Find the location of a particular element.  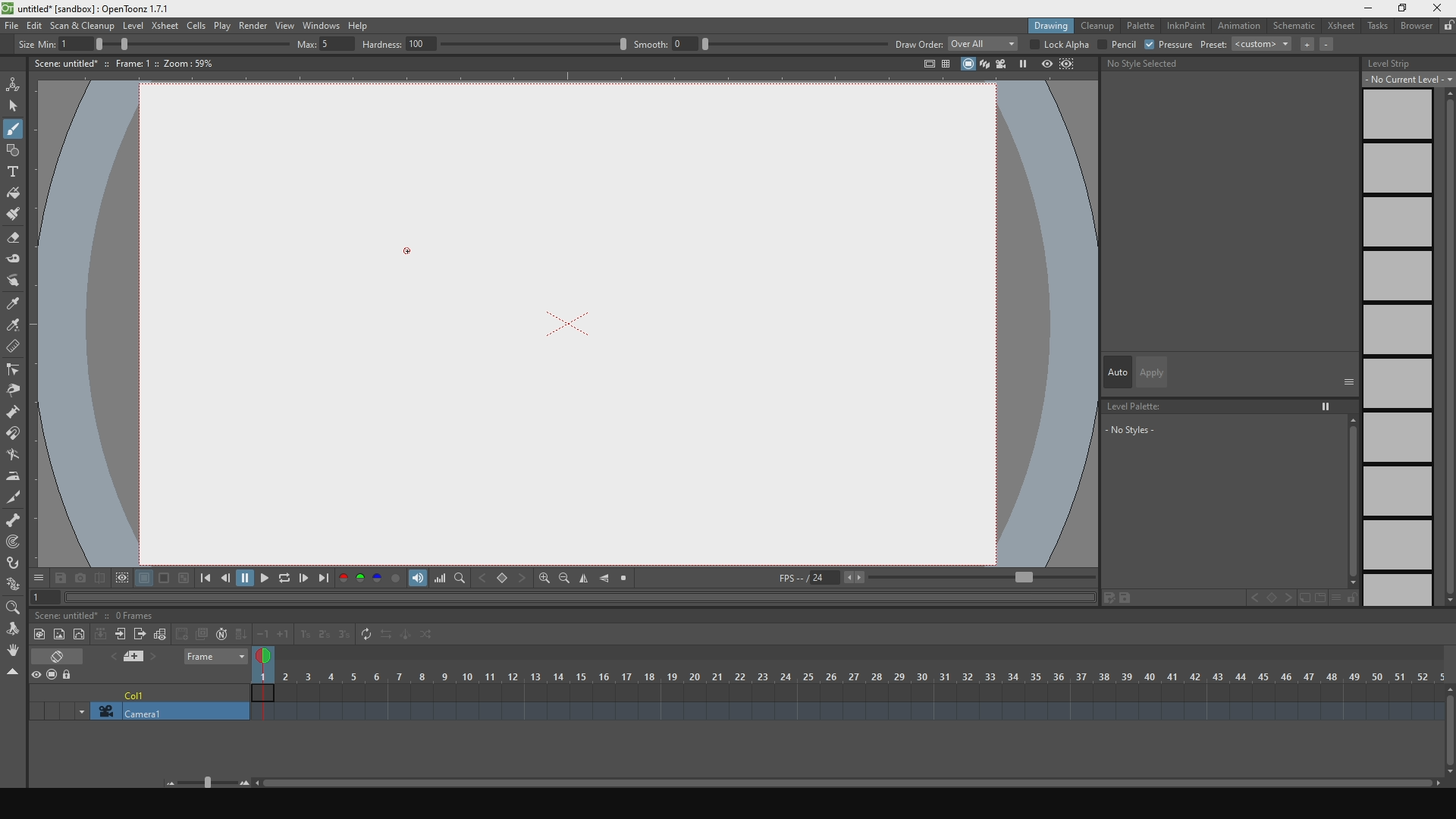

cleanup is located at coordinates (1098, 27).